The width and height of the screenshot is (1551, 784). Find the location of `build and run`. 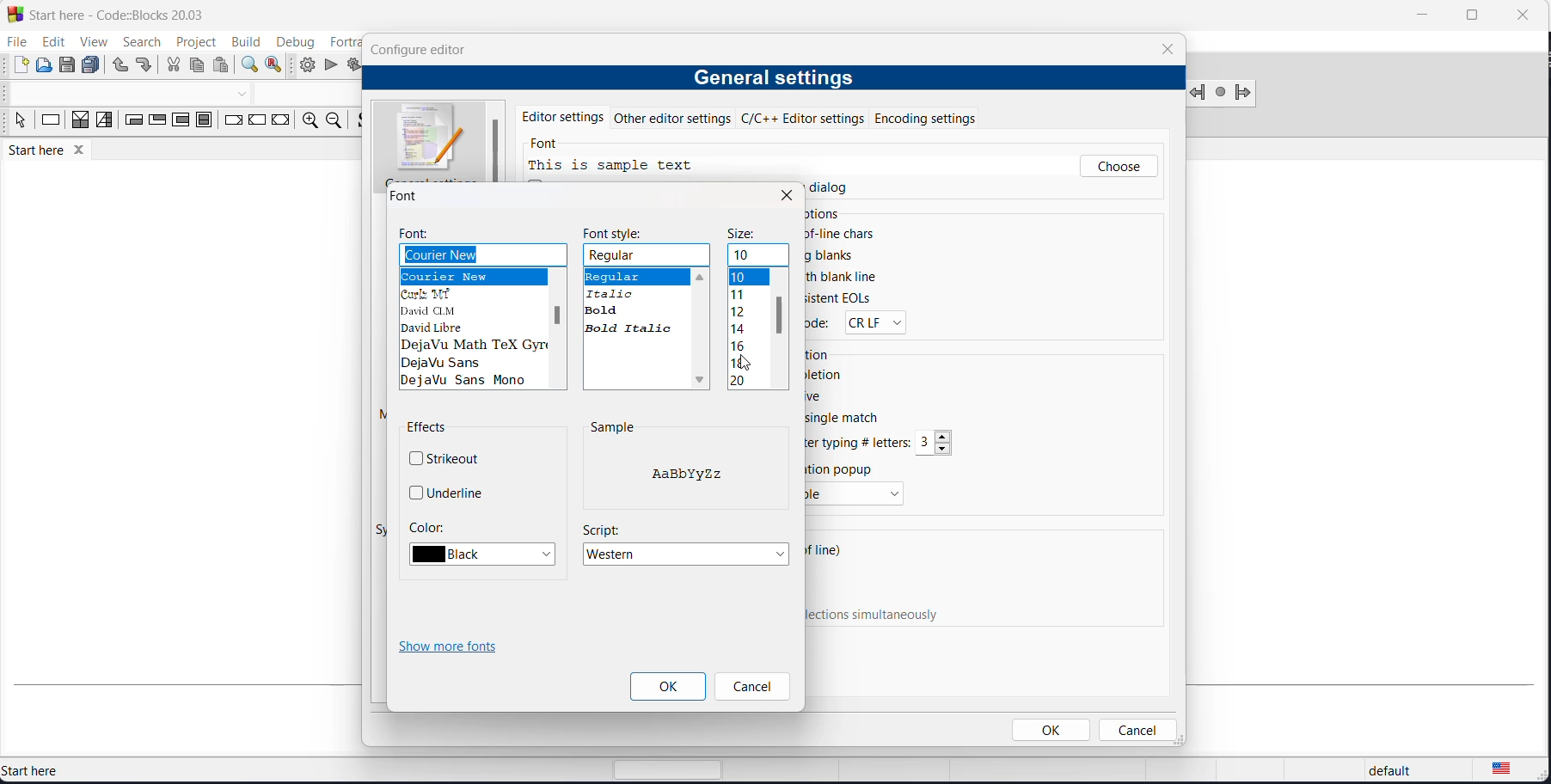

build and run is located at coordinates (352, 66).